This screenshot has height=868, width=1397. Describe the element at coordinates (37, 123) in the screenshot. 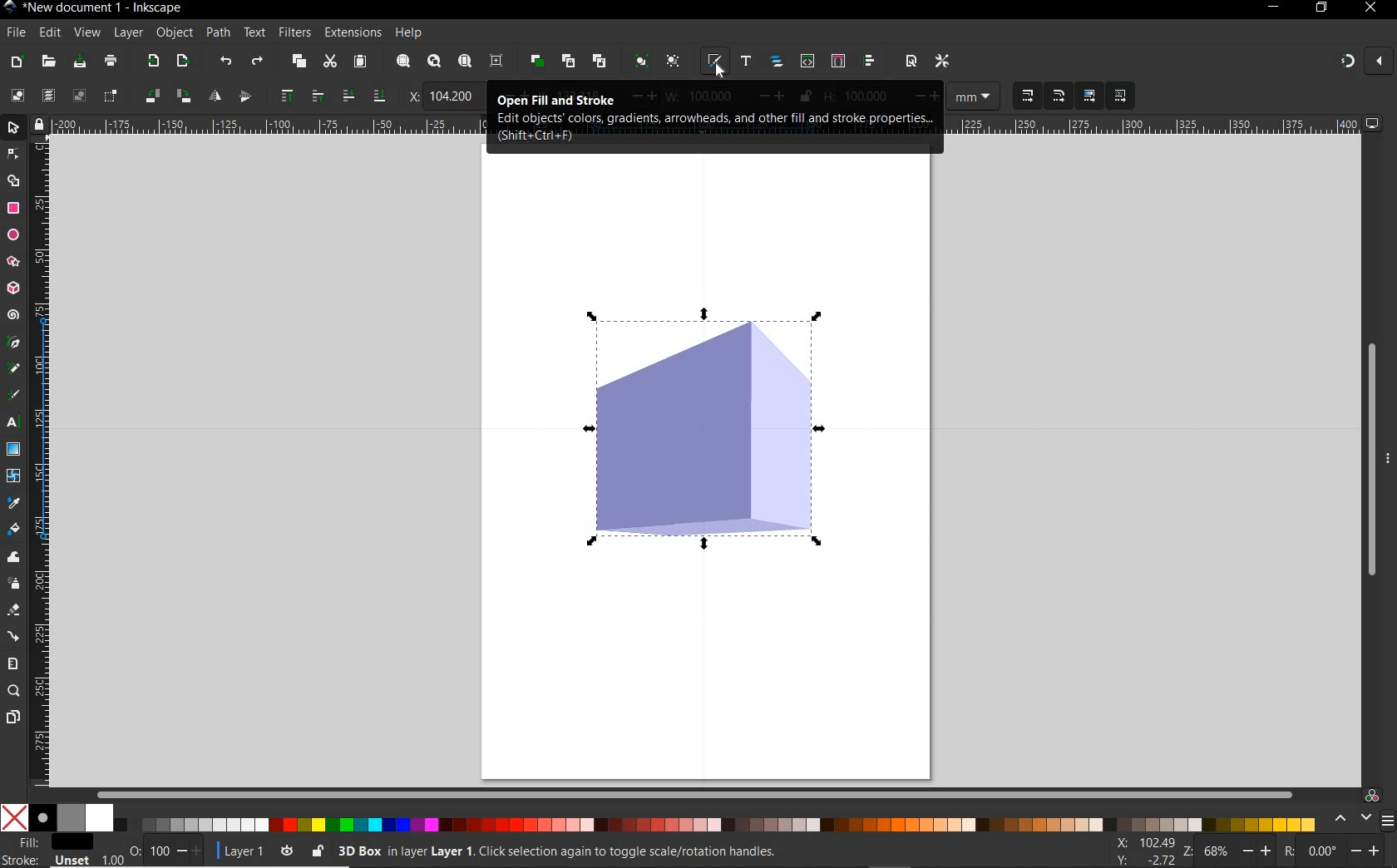

I see `lock` at that location.